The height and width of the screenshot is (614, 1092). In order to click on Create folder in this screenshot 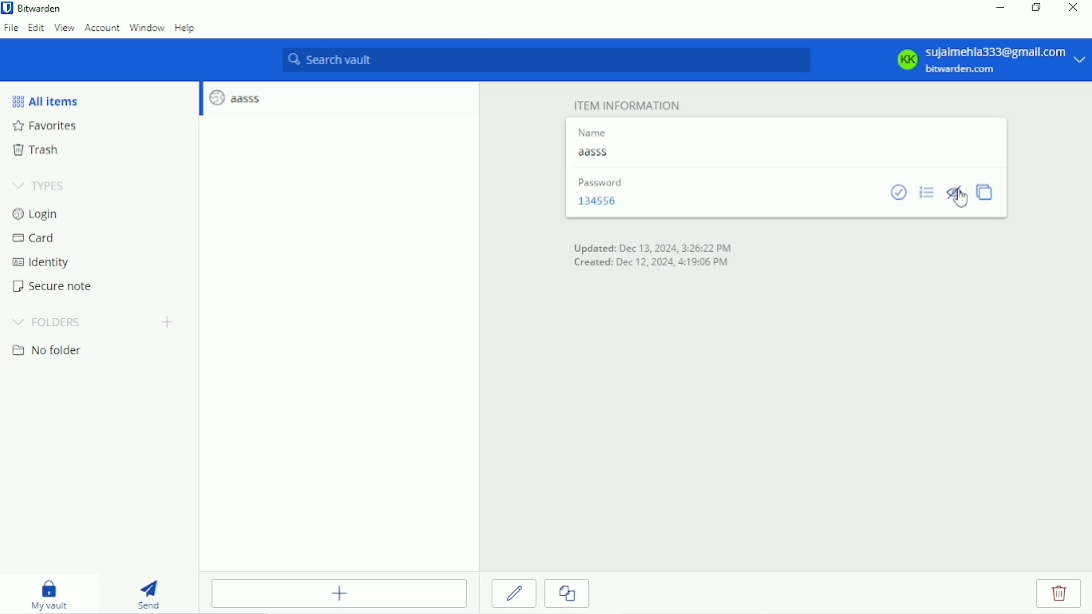, I will do `click(169, 322)`.